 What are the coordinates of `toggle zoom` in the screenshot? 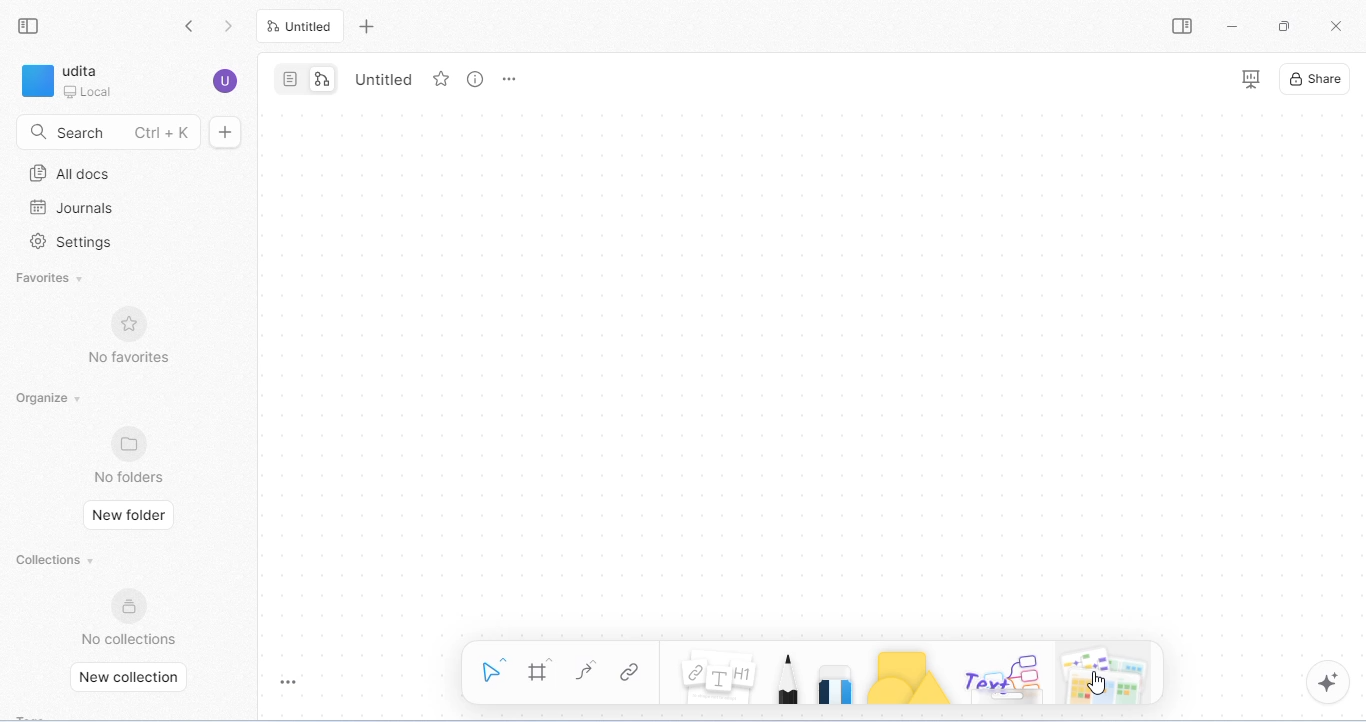 It's located at (291, 681).